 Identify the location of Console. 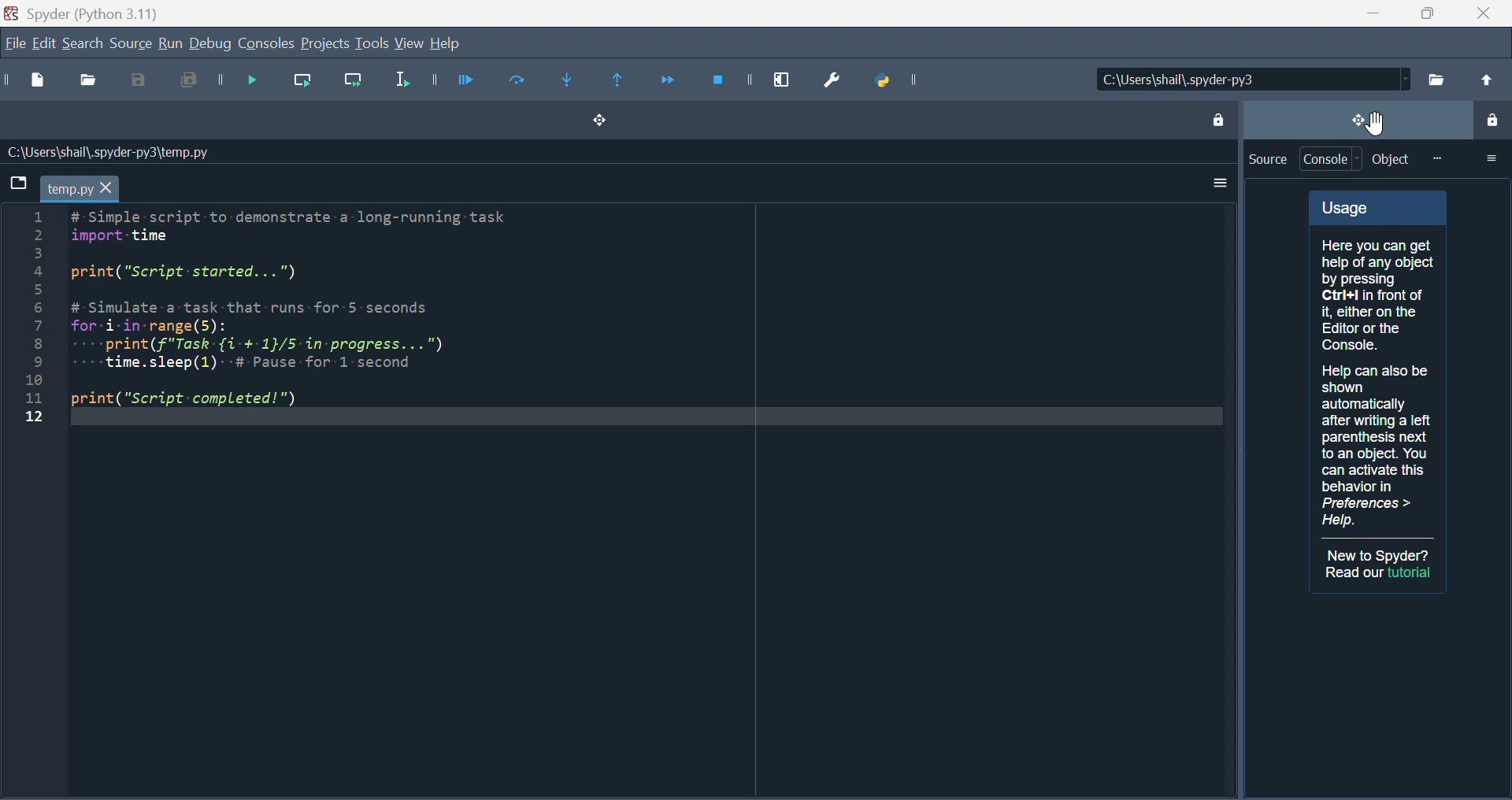
(1332, 159).